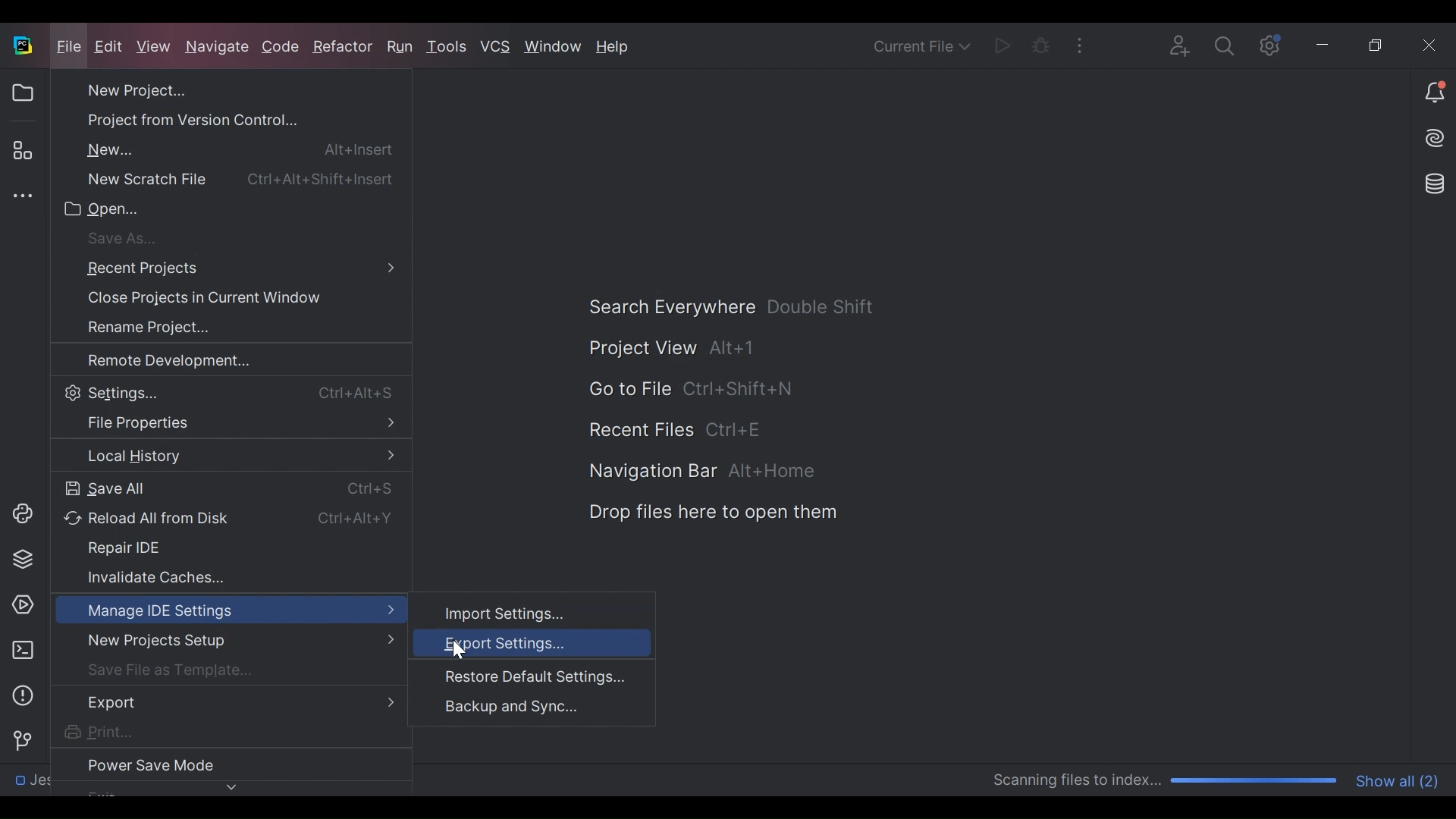  What do you see at coordinates (554, 46) in the screenshot?
I see `Window` at bounding box center [554, 46].